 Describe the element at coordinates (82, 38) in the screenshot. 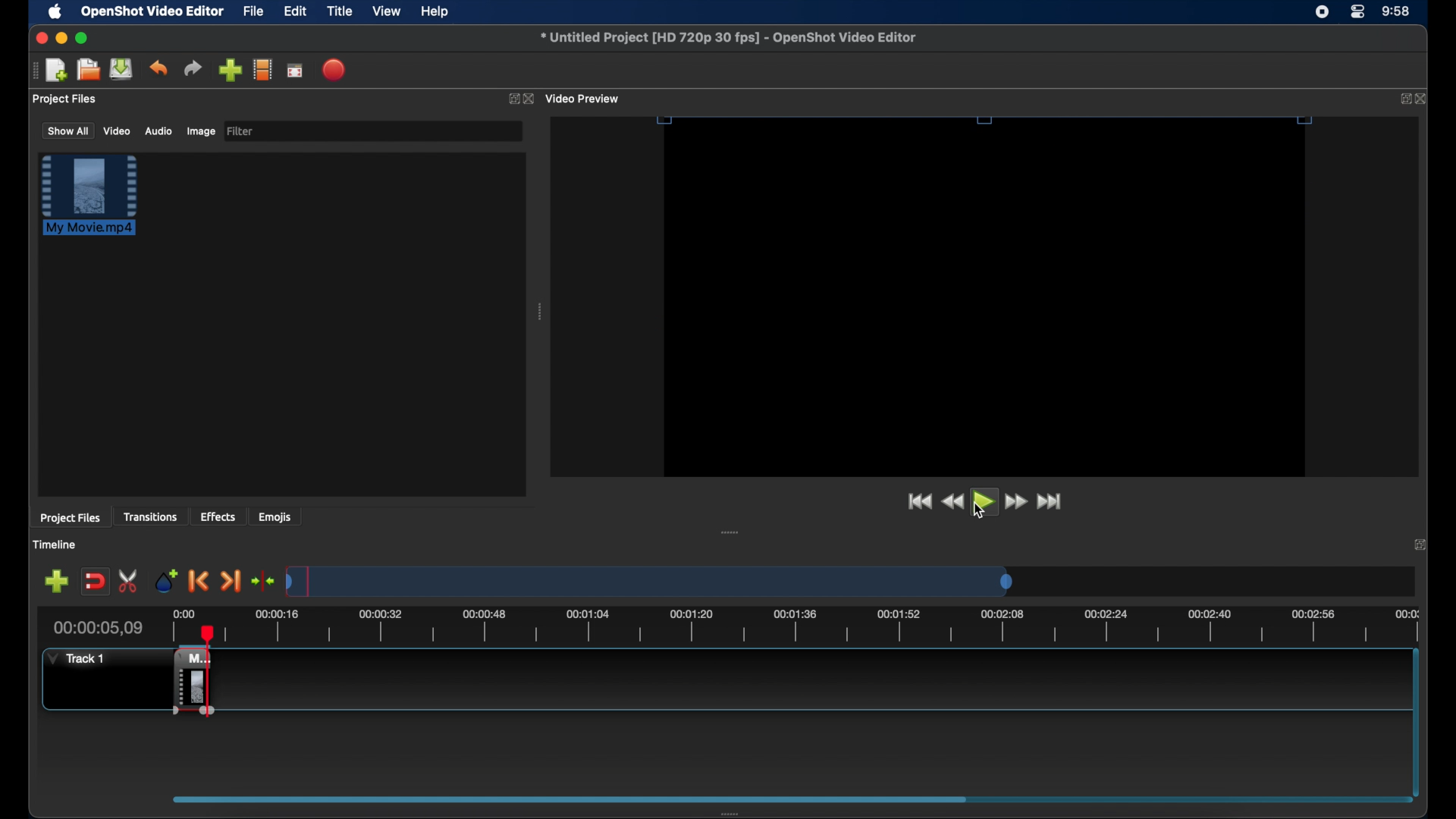

I see `maximize` at that location.